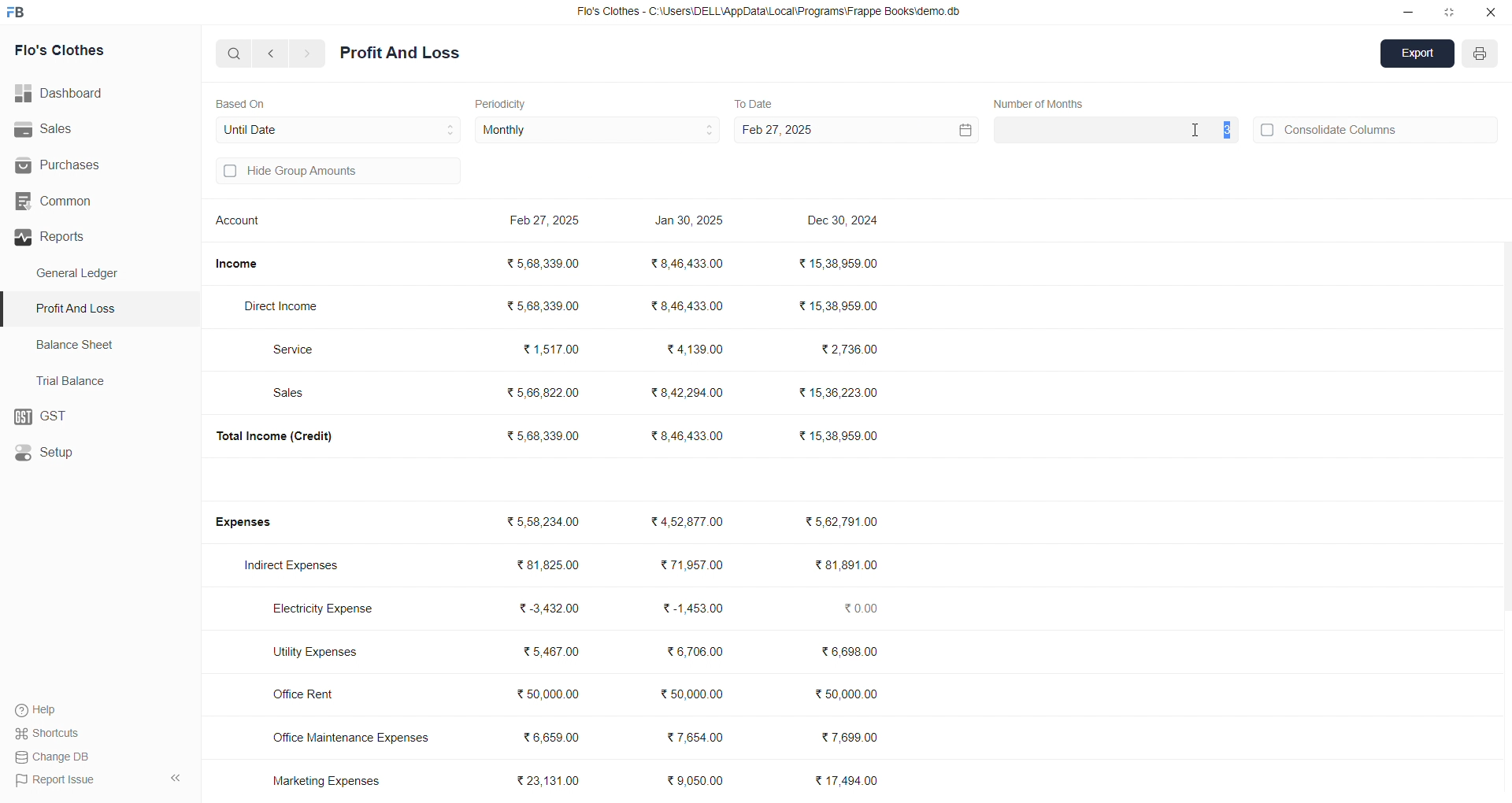  What do you see at coordinates (550, 693) in the screenshot?
I see `₹50,000.00` at bounding box center [550, 693].